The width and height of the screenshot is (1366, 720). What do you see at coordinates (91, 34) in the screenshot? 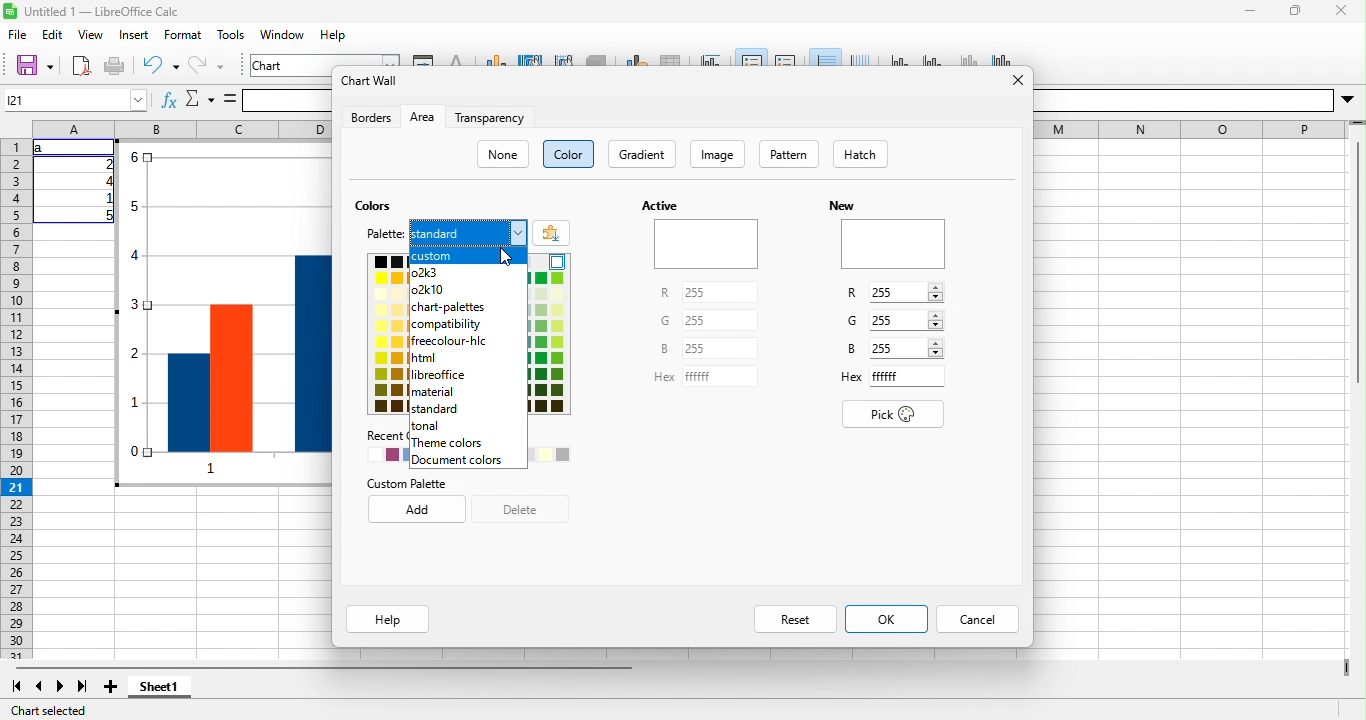
I see `view` at bounding box center [91, 34].